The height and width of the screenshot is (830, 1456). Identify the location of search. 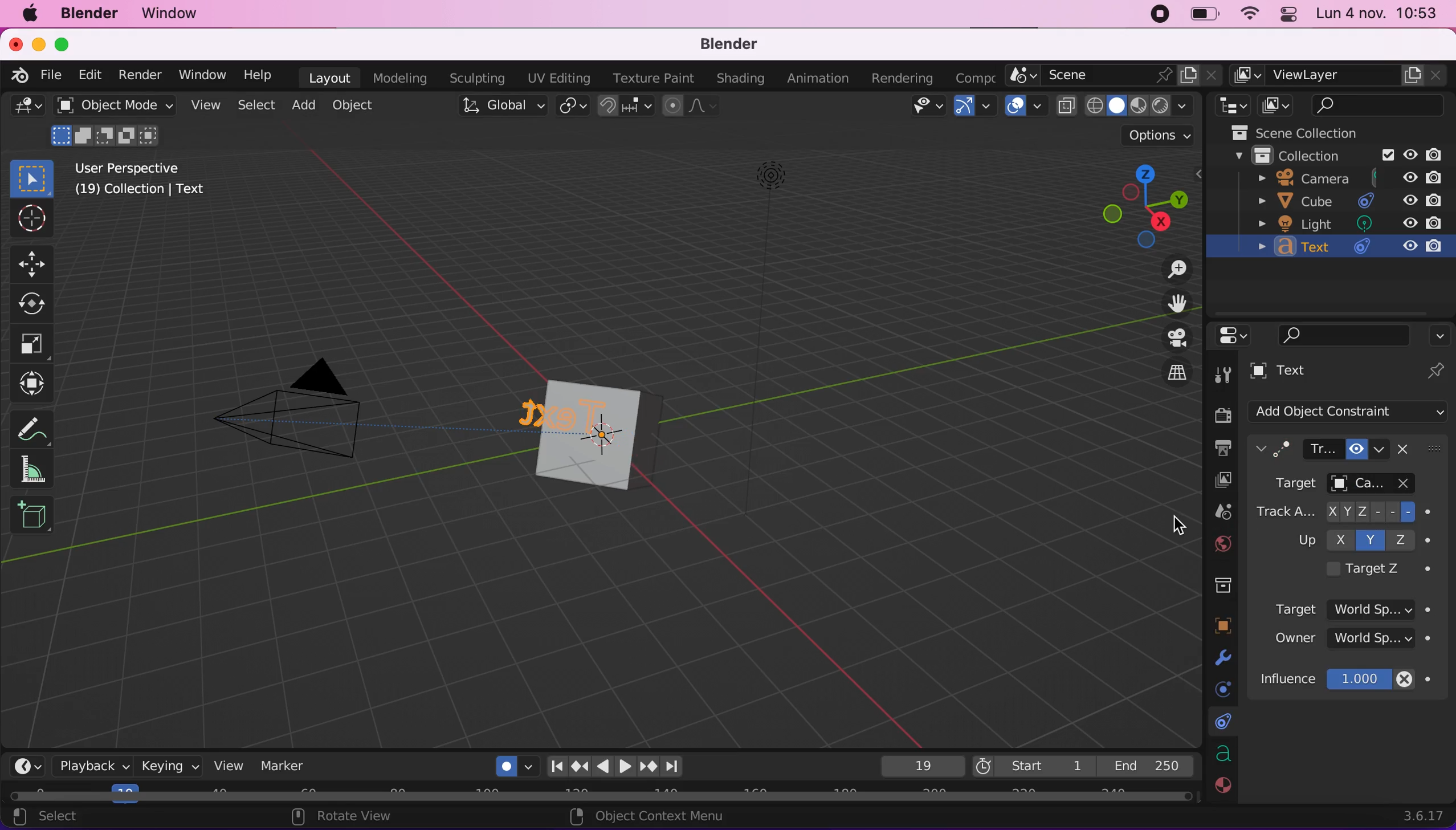
(1381, 107).